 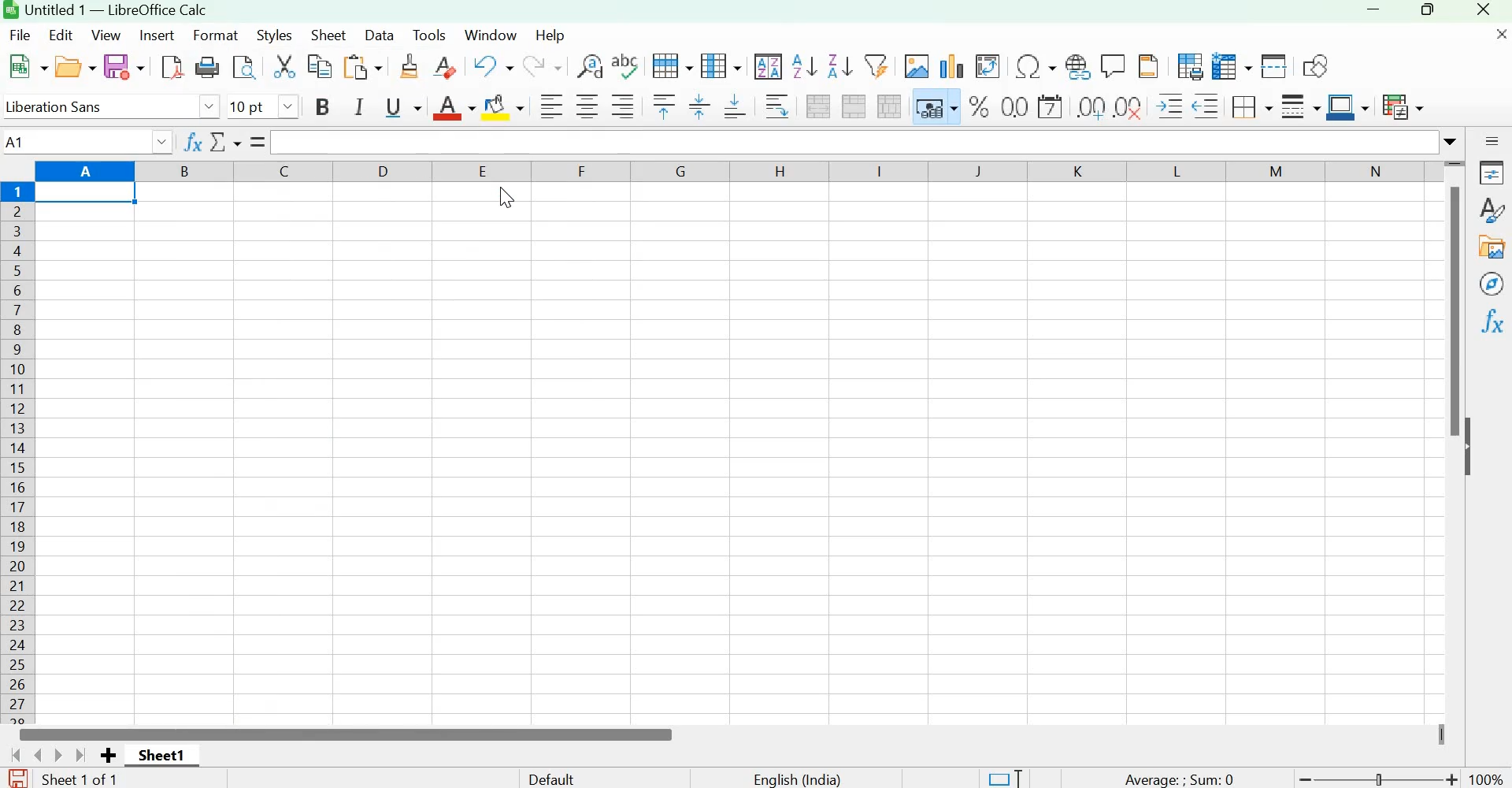 What do you see at coordinates (588, 66) in the screenshot?
I see `Find and replace` at bounding box center [588, 66].